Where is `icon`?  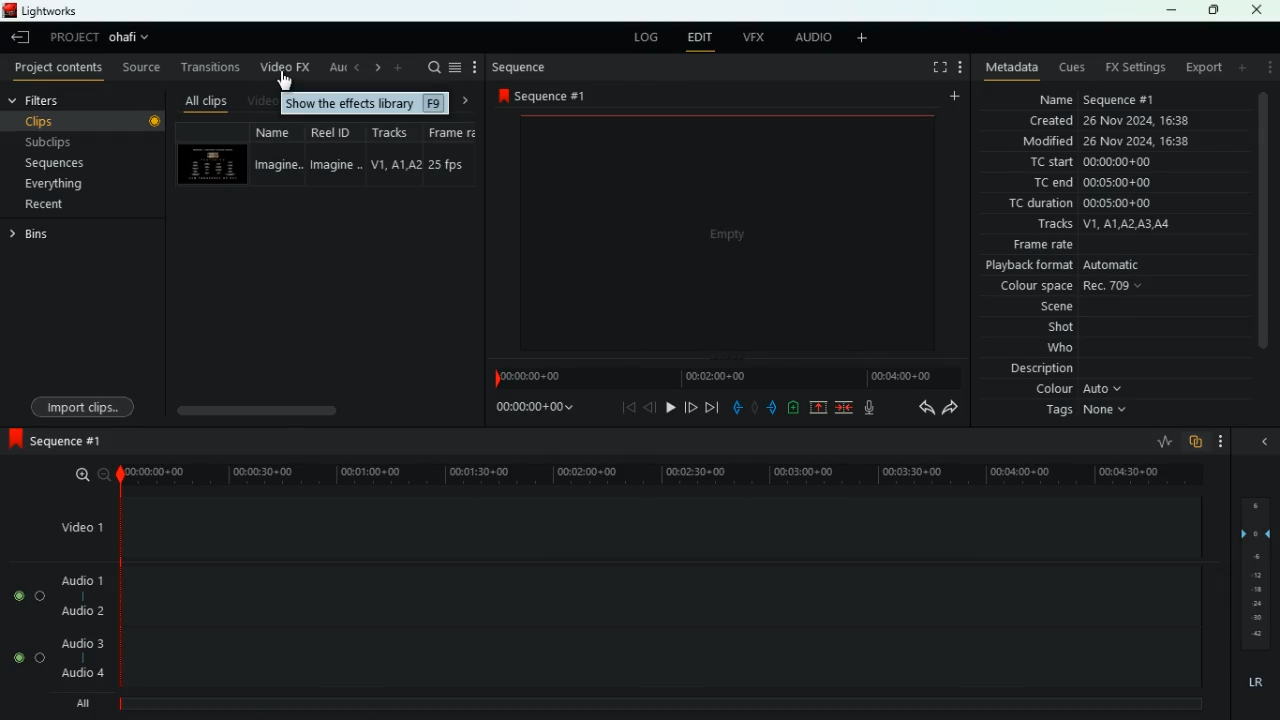
icon is located at coordinates (14, 440).